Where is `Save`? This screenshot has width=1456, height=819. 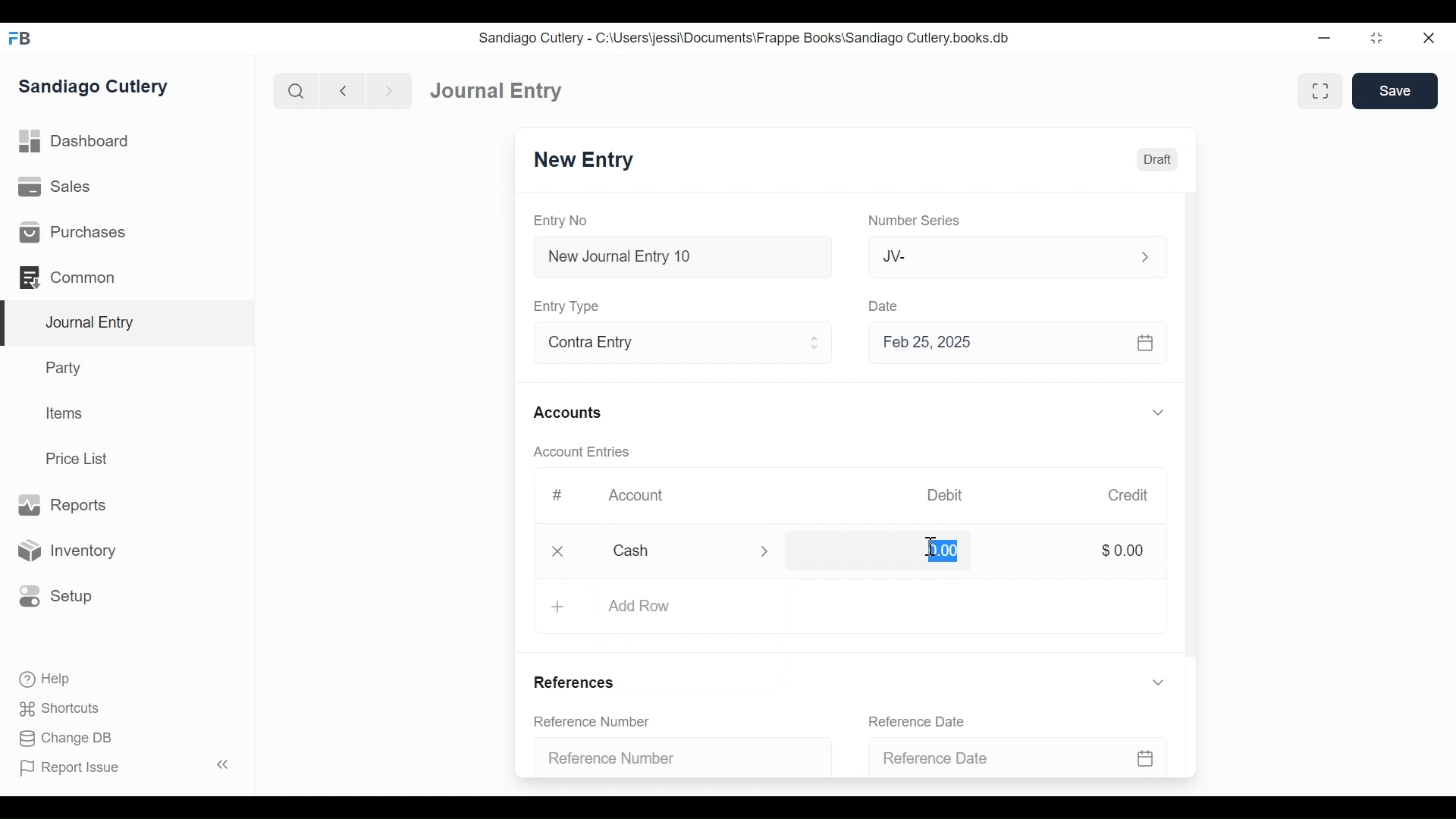
Save is located at coordinates (1395, 91).